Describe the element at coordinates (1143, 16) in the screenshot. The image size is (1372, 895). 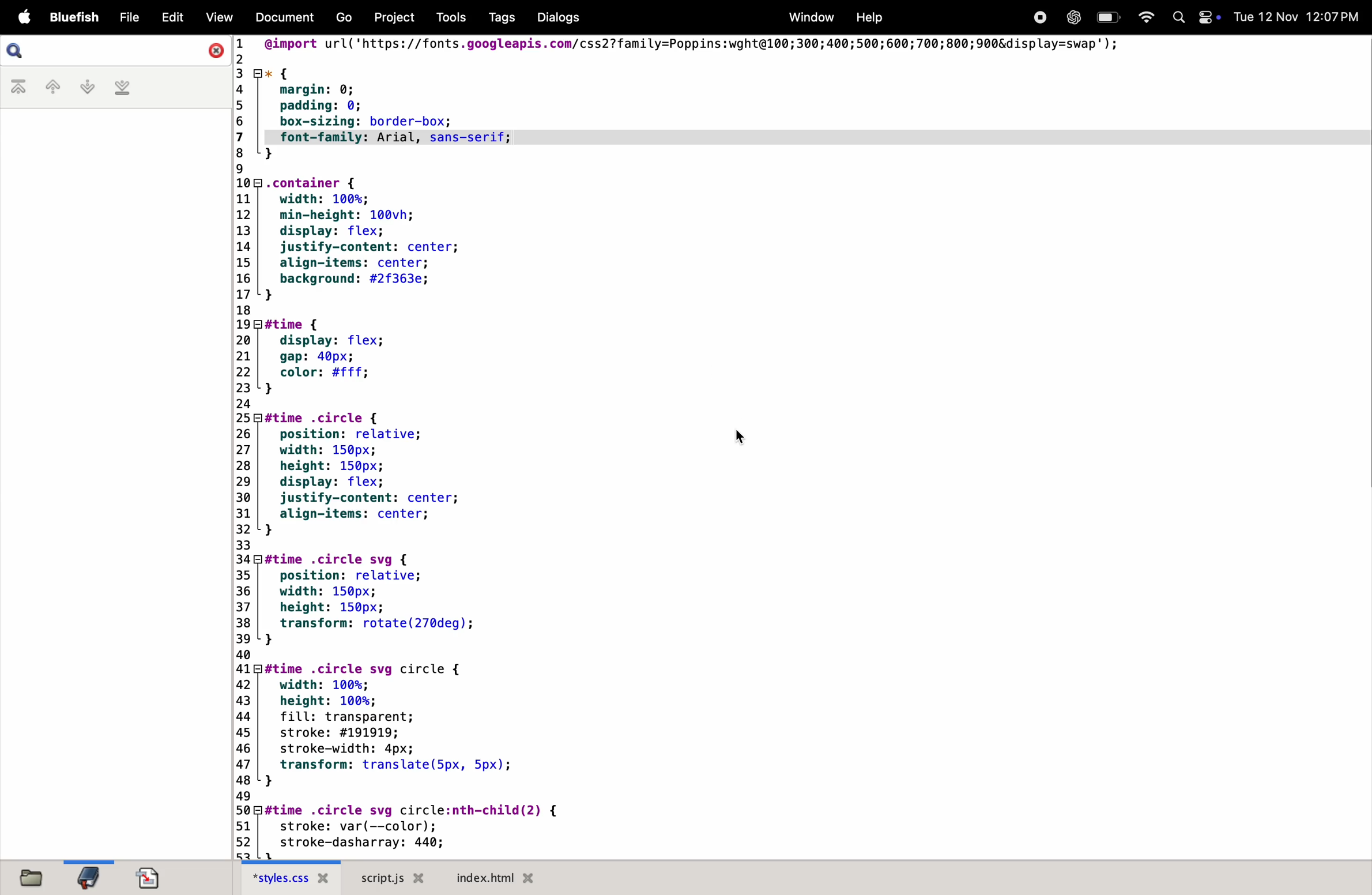
I see `wifi` at that location.